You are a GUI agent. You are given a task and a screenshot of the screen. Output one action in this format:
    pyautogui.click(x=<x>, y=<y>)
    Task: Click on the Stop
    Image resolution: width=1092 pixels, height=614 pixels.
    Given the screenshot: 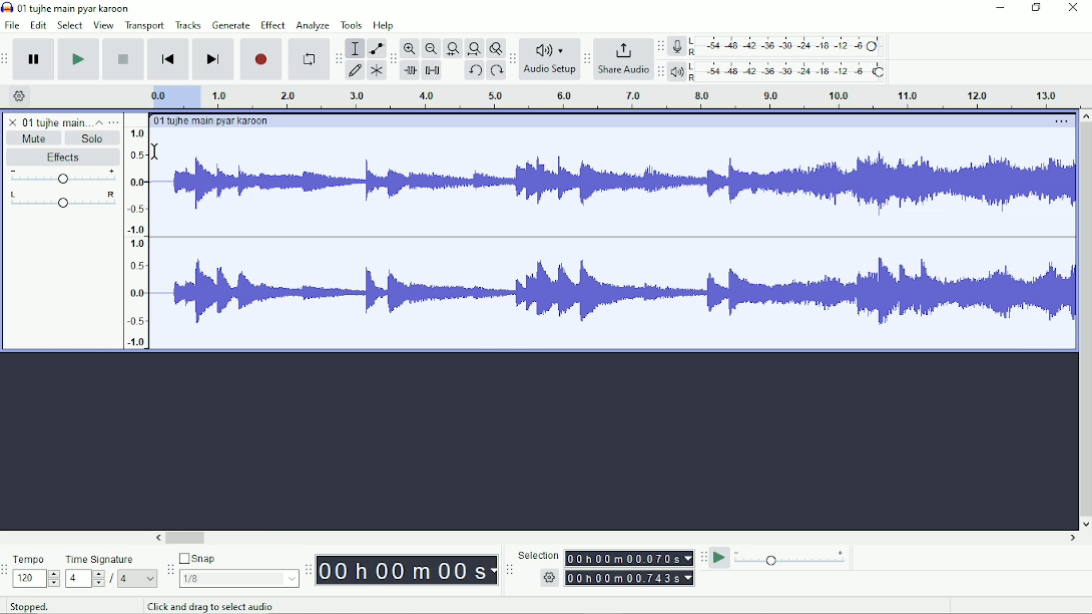 What is the action you would take?
    pyautogui.click(x=125, y=58)
    